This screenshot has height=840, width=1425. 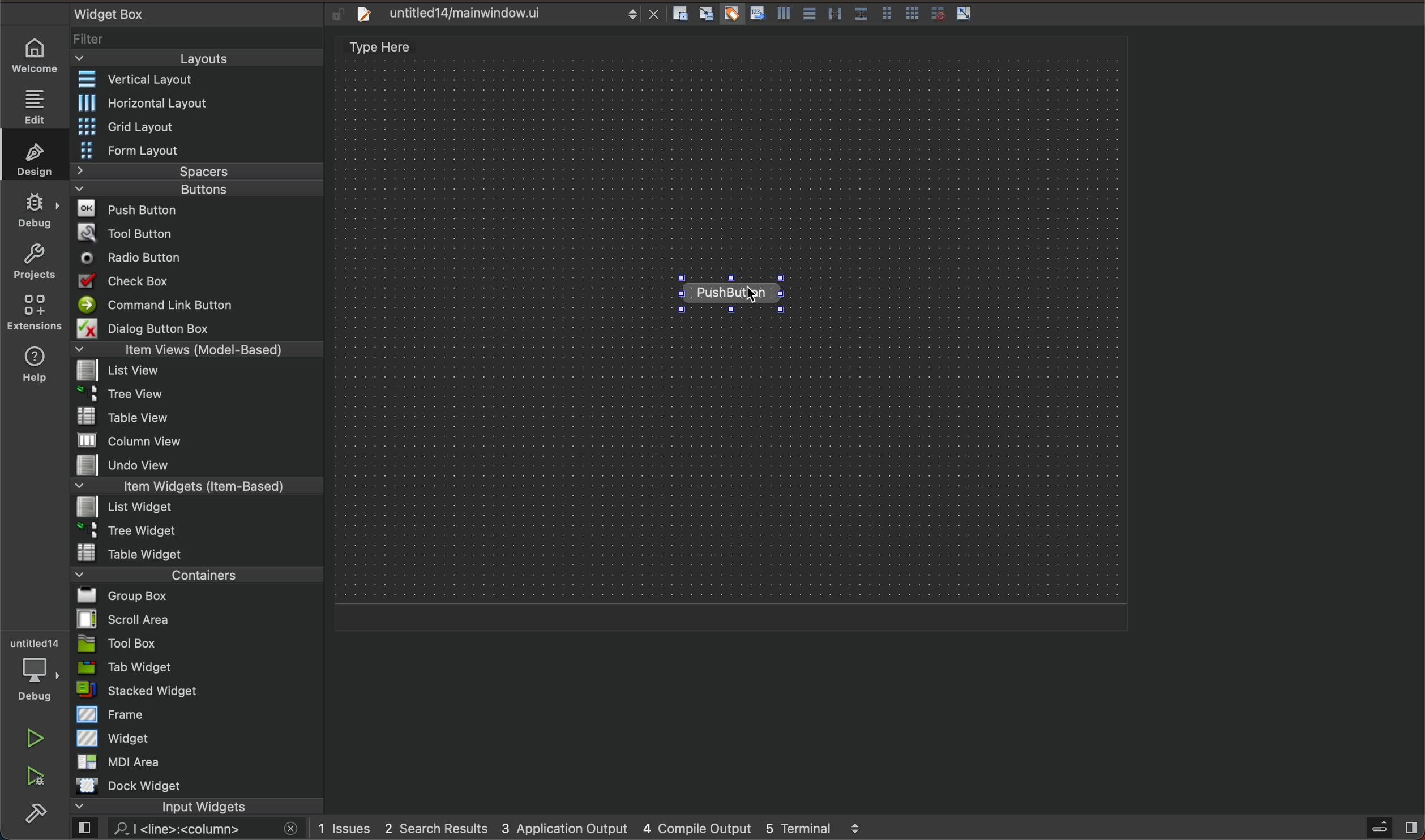 I want to click on buttons, so click(x=194, y=191).